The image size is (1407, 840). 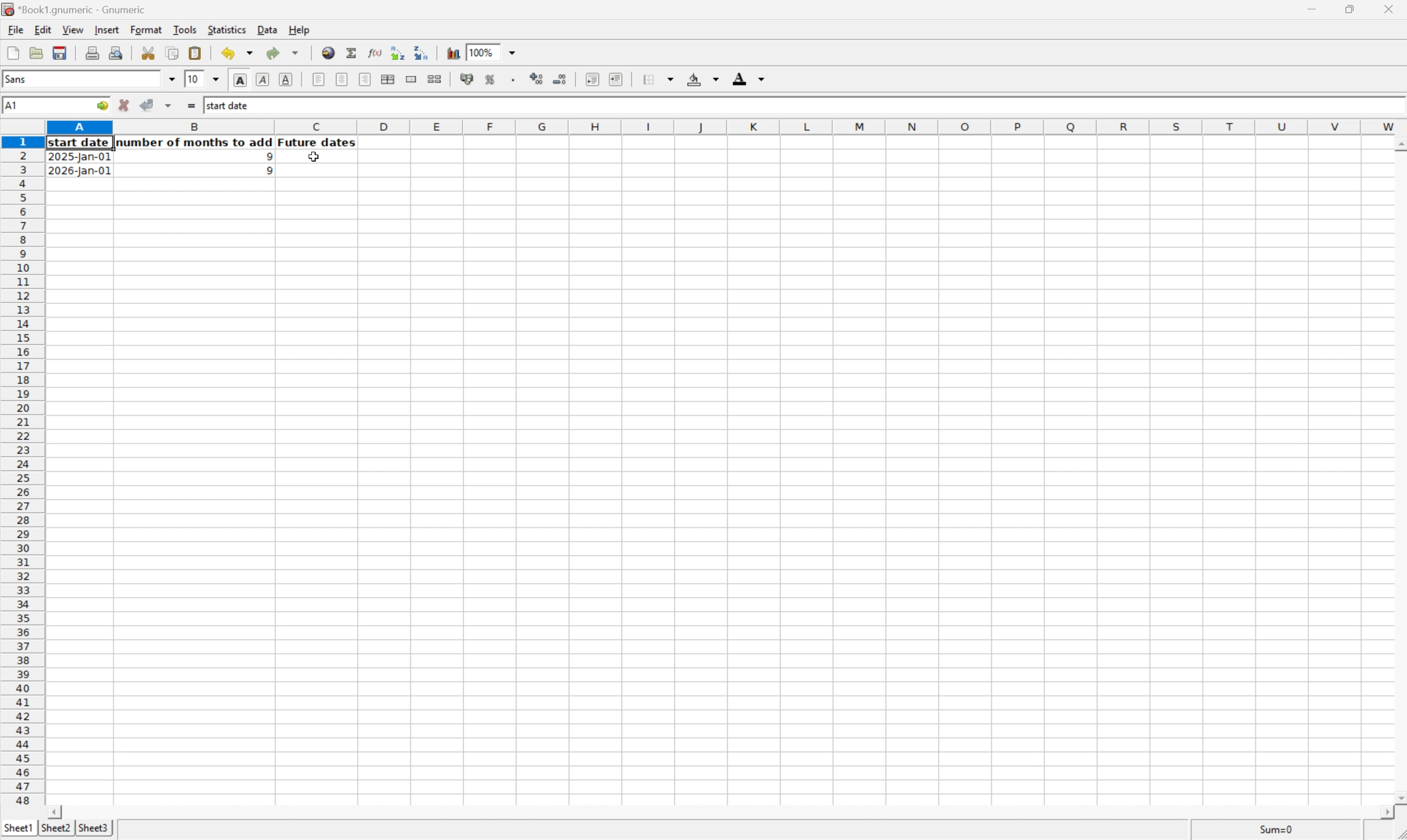 What do you see at coordinates (116, 52) in the screenshot?
I see `Print preview` at bounding box center [116, 52].